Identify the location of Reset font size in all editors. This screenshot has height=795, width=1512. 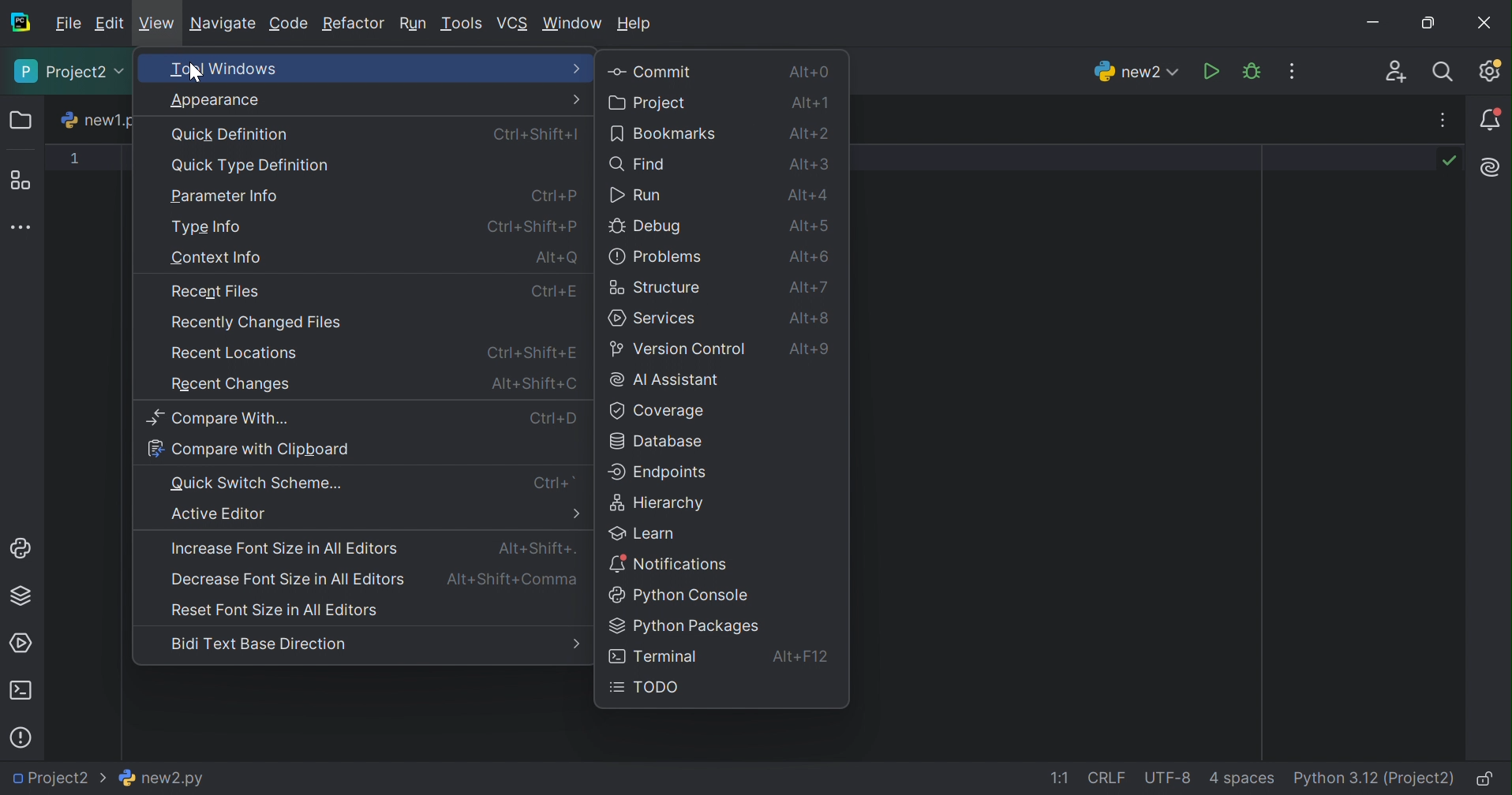
(279, 610).